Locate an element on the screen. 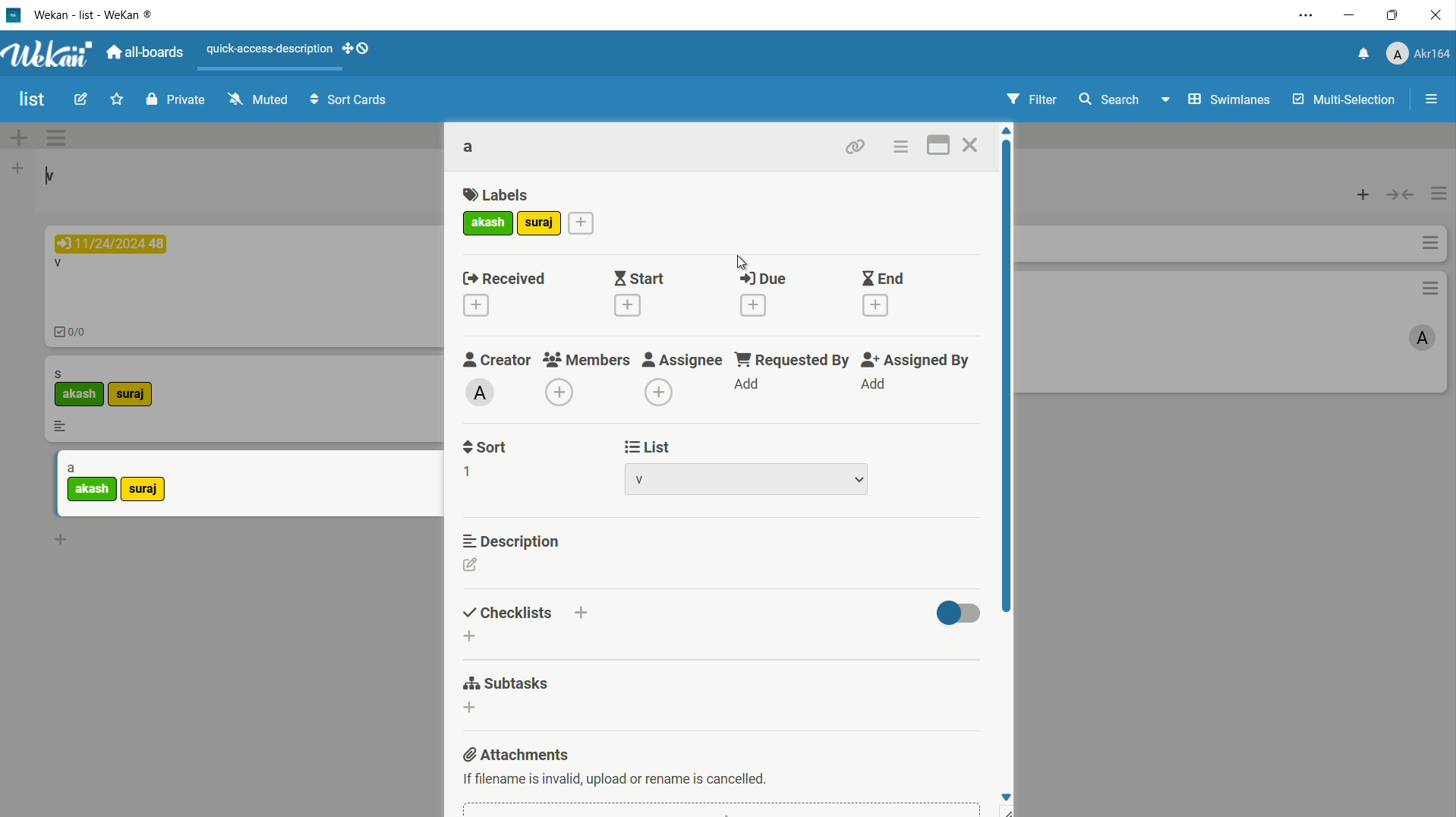  Due is located at coordinates (773, 279).